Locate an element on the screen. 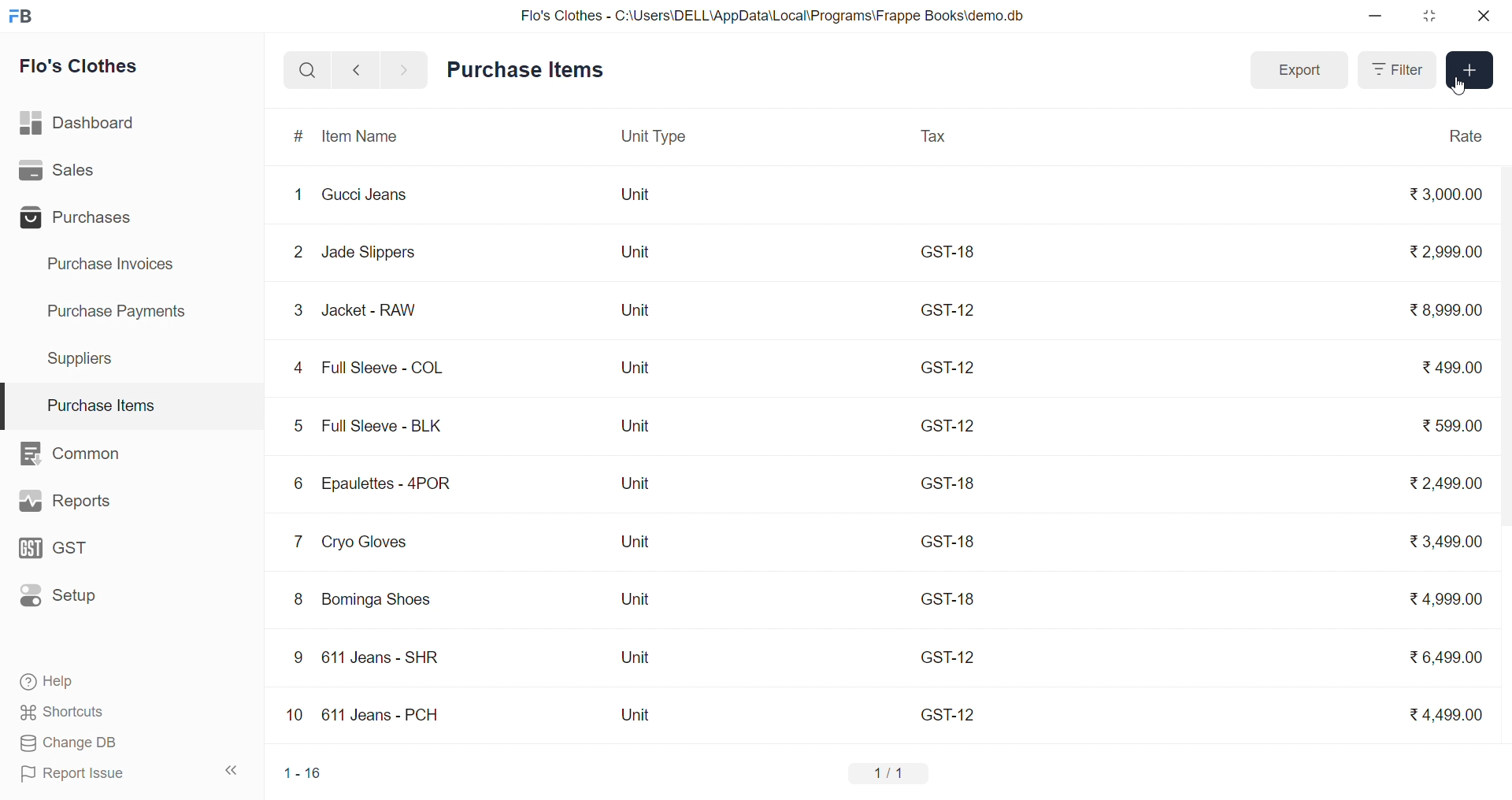 This screenshot has width=1512, height=800. ₹499.00 is located at coordinates (1447, 367).